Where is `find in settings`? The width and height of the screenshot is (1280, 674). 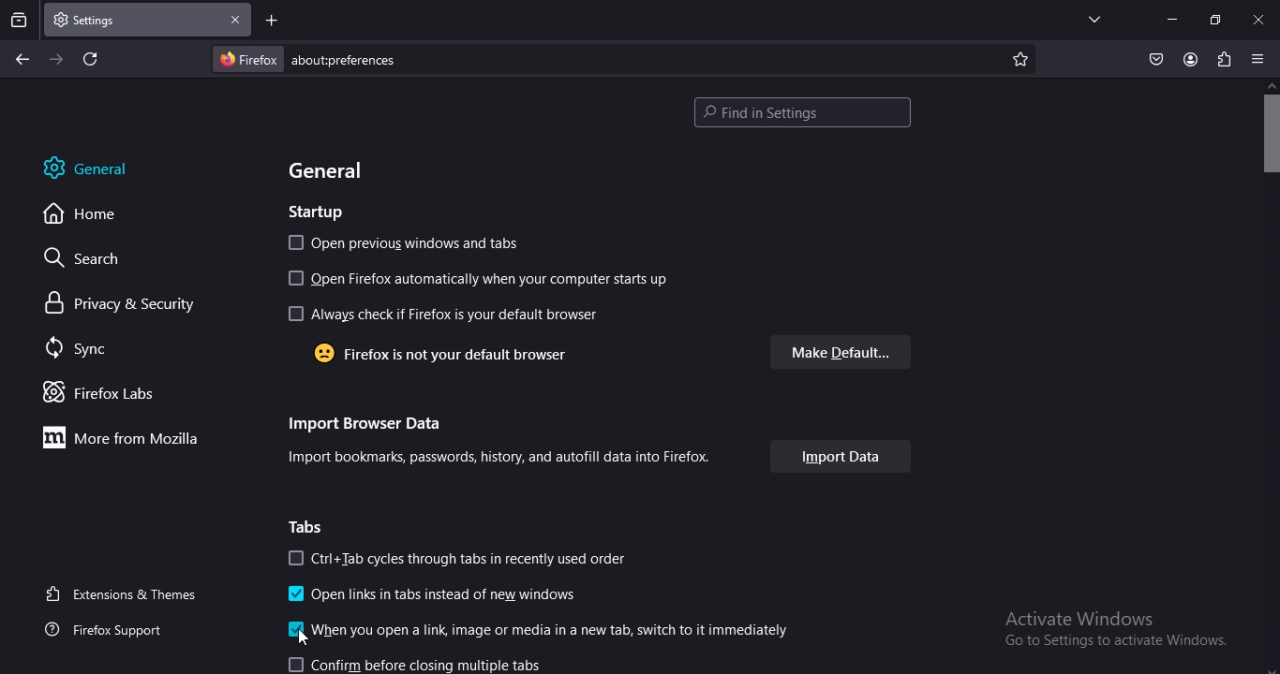
find in settings is located at coordinates (806, 113).